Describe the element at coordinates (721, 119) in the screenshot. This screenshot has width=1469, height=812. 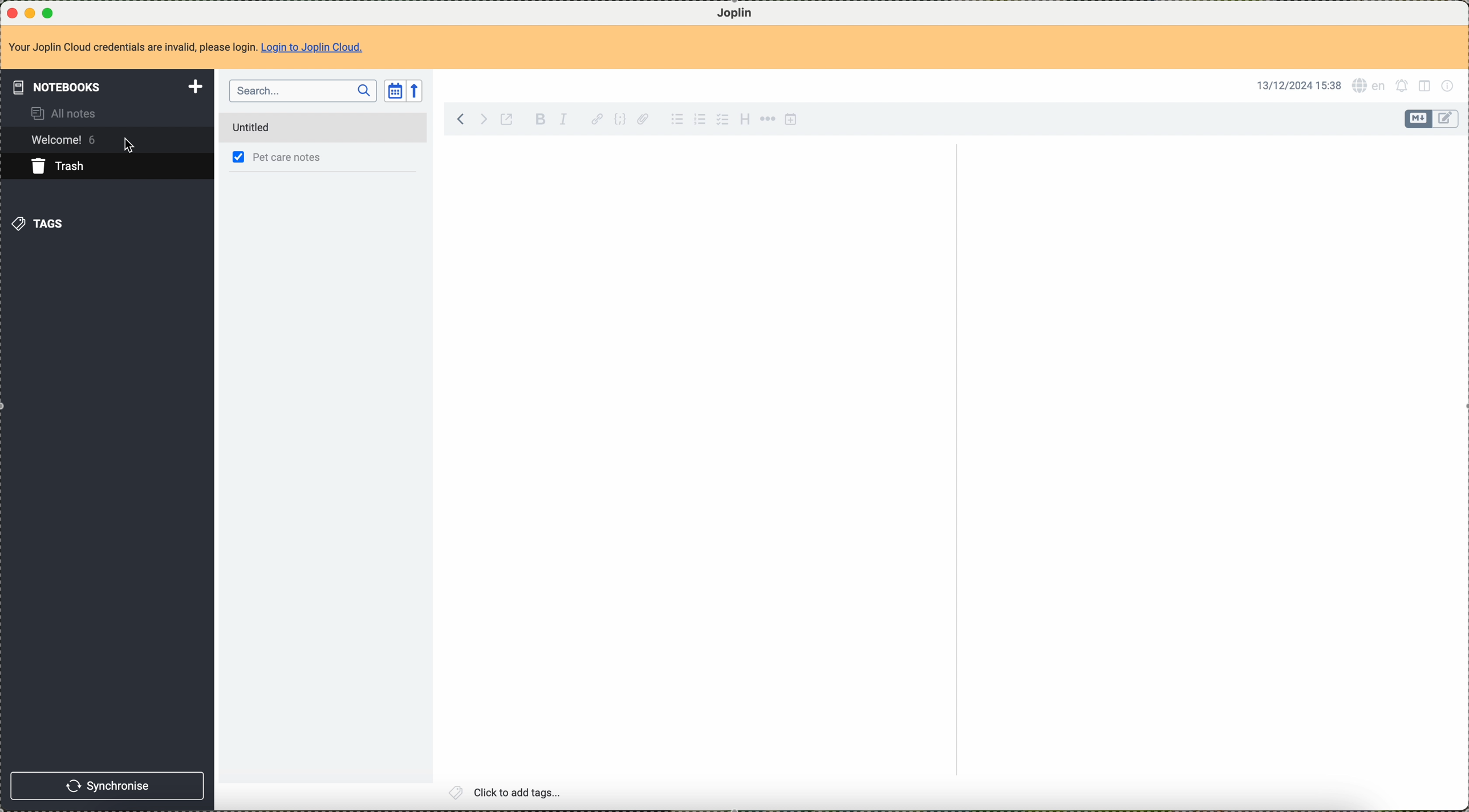
I see `checkbox` at that location.